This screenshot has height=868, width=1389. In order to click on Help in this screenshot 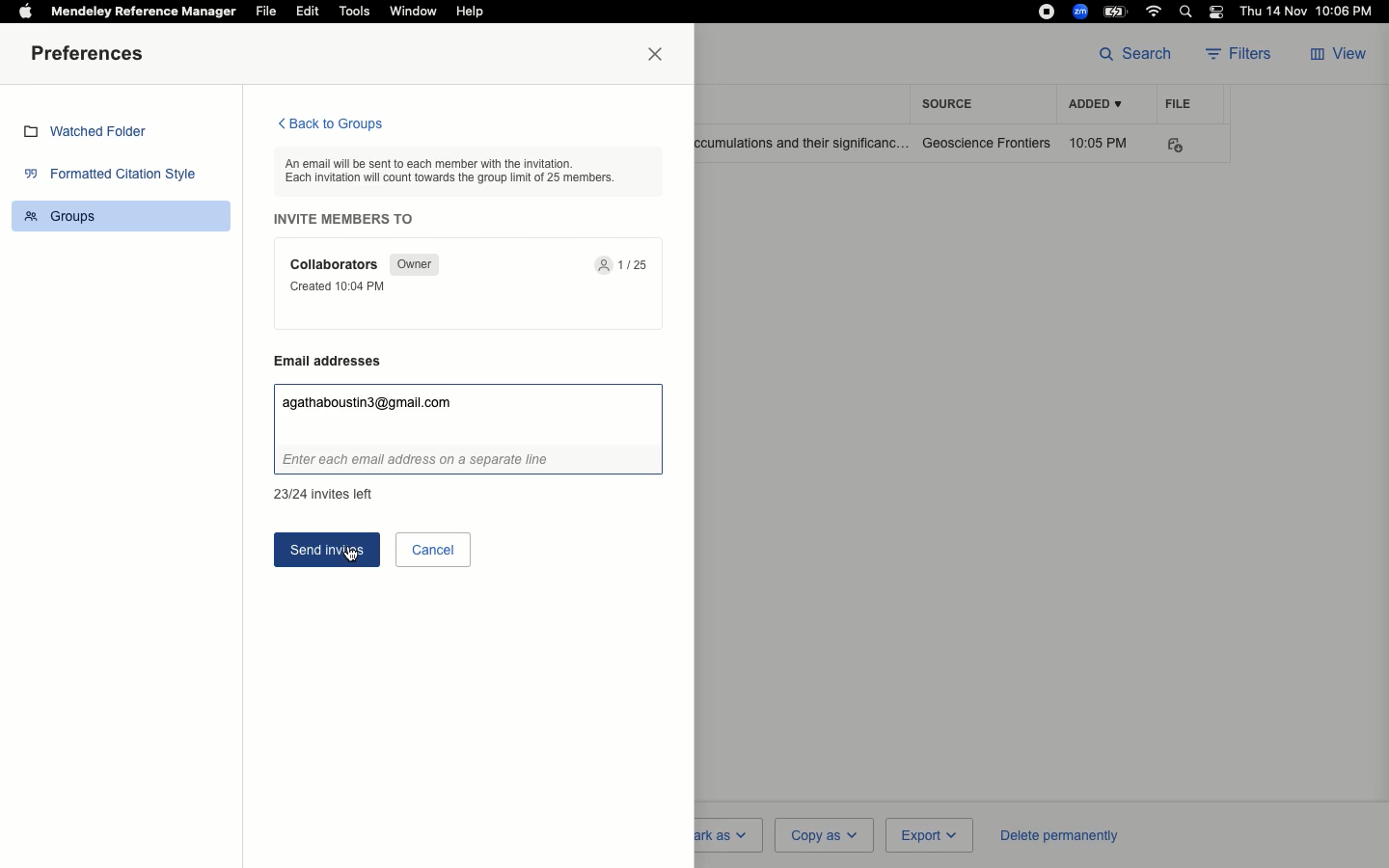, I will do `click(469, 13)`.